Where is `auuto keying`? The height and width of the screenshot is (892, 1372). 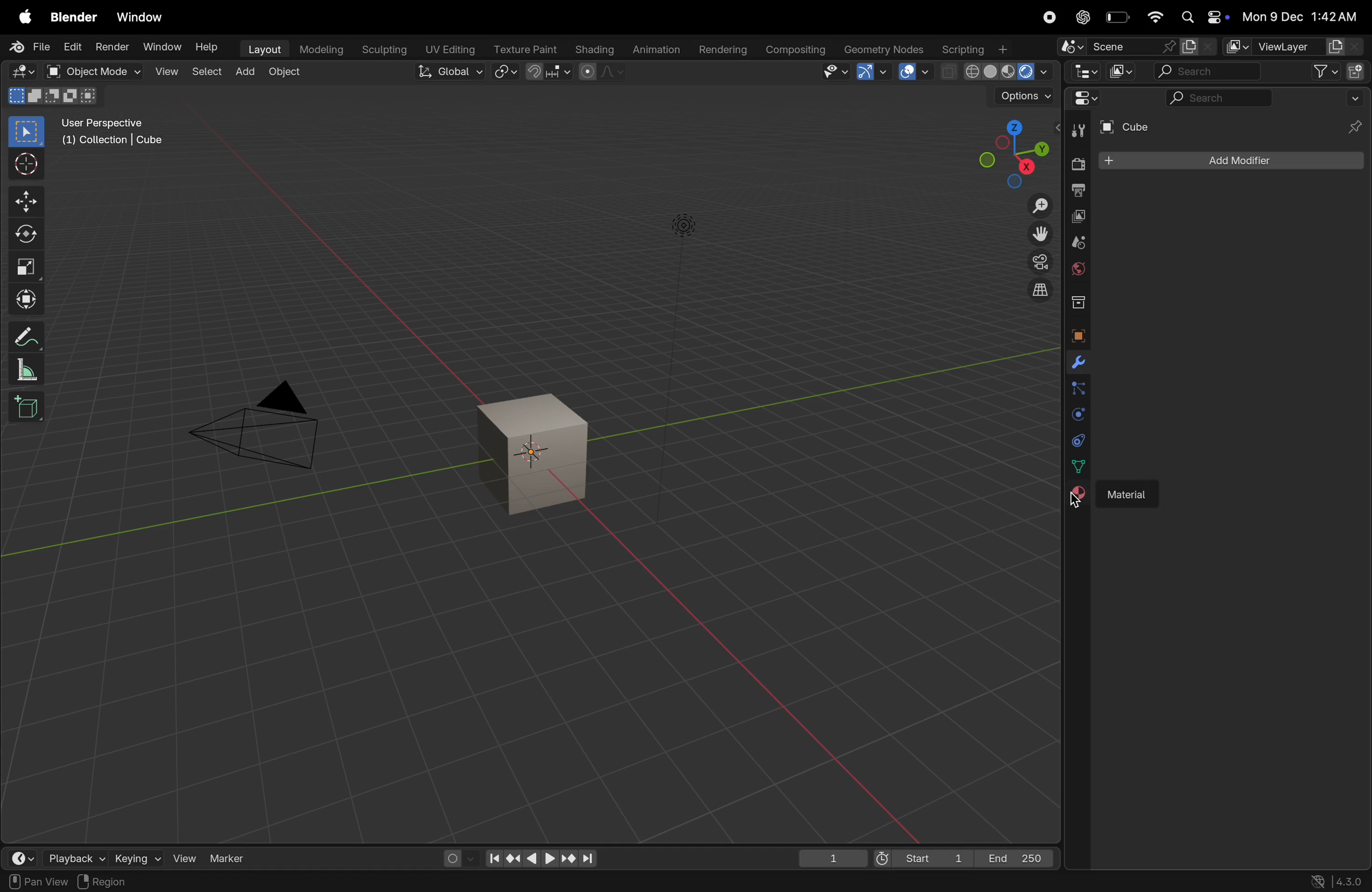
auuto keying is located at coordinates (451, 857).